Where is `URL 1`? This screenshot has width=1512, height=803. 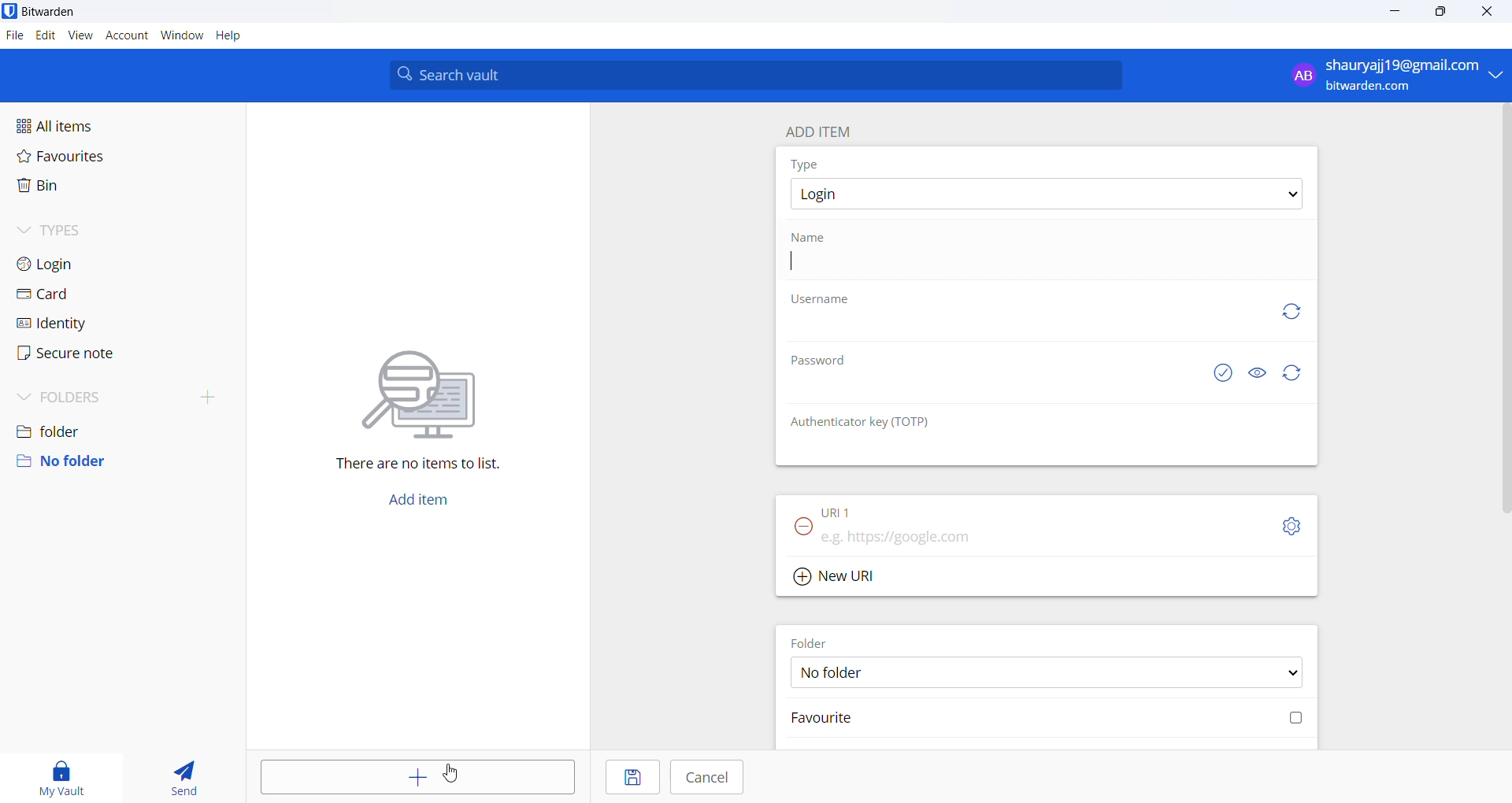
URL 1 is located at coordinates (865, 511).